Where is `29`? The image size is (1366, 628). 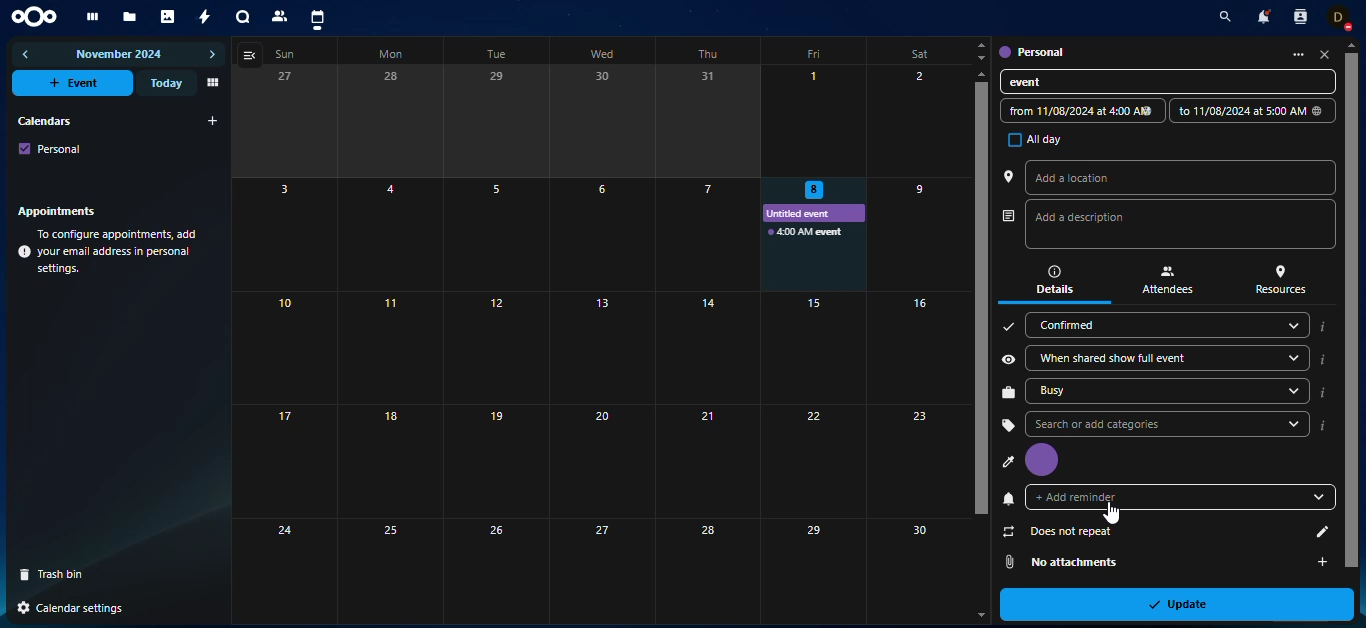 29 is located at coordinates (498, 122).